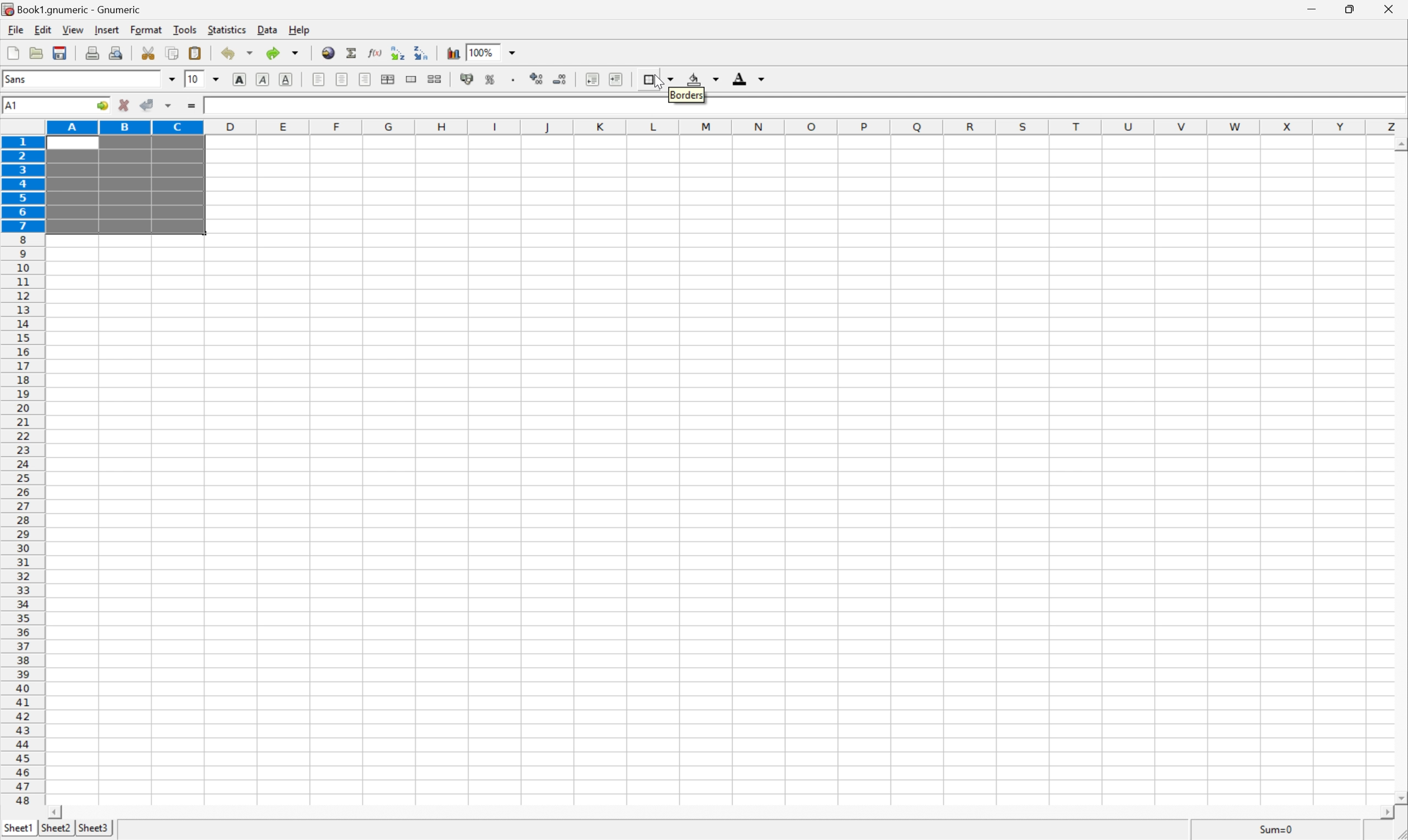  Describe the element at coordinates (503, 51) in the screenshot. I see `Zoom 100%` at that location.